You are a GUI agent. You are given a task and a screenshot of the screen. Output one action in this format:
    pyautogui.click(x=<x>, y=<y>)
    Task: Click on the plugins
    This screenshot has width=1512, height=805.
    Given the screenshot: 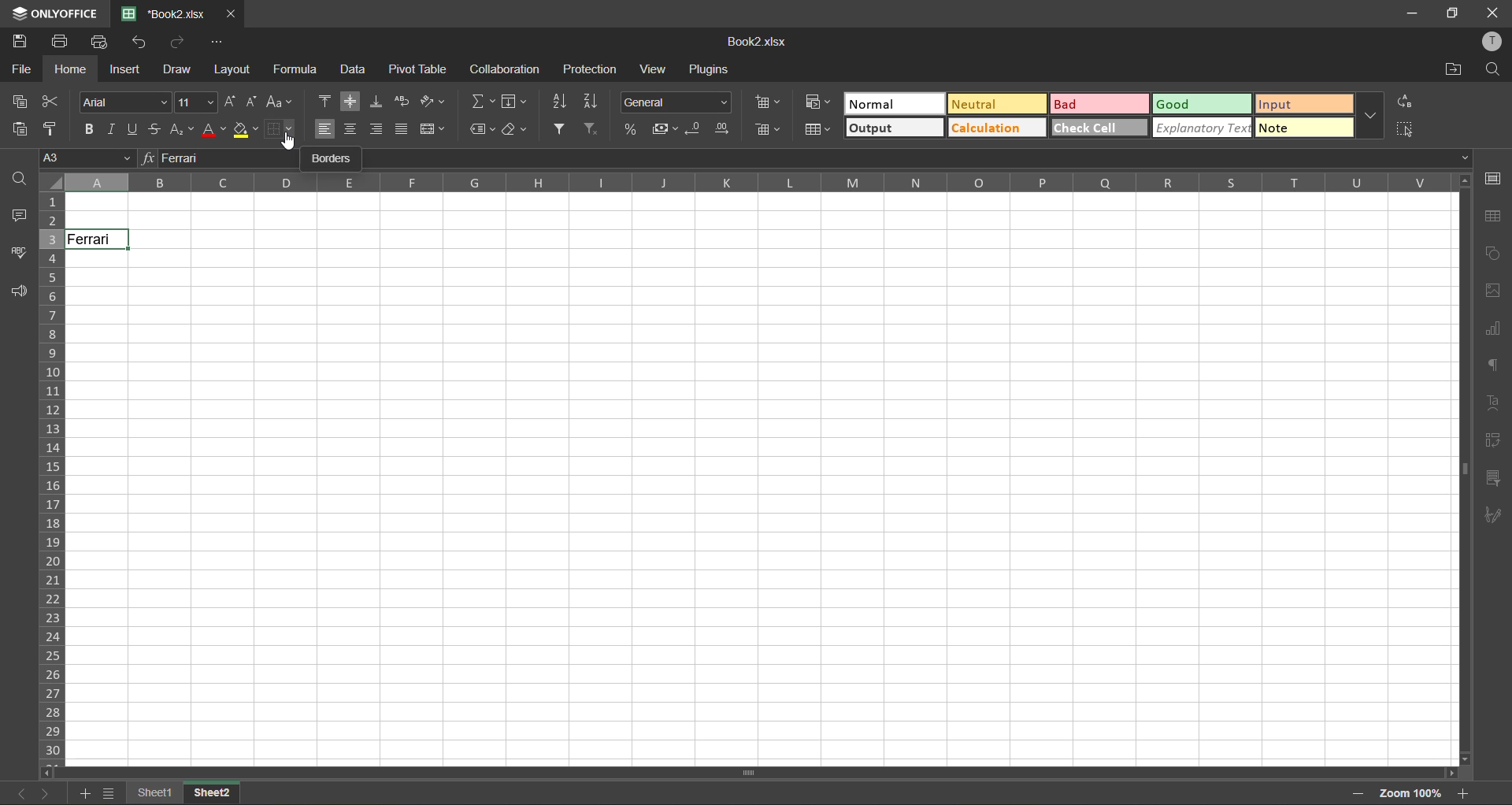 What is the action you would take?
    pyautogui.click(x=709, y=69)
    